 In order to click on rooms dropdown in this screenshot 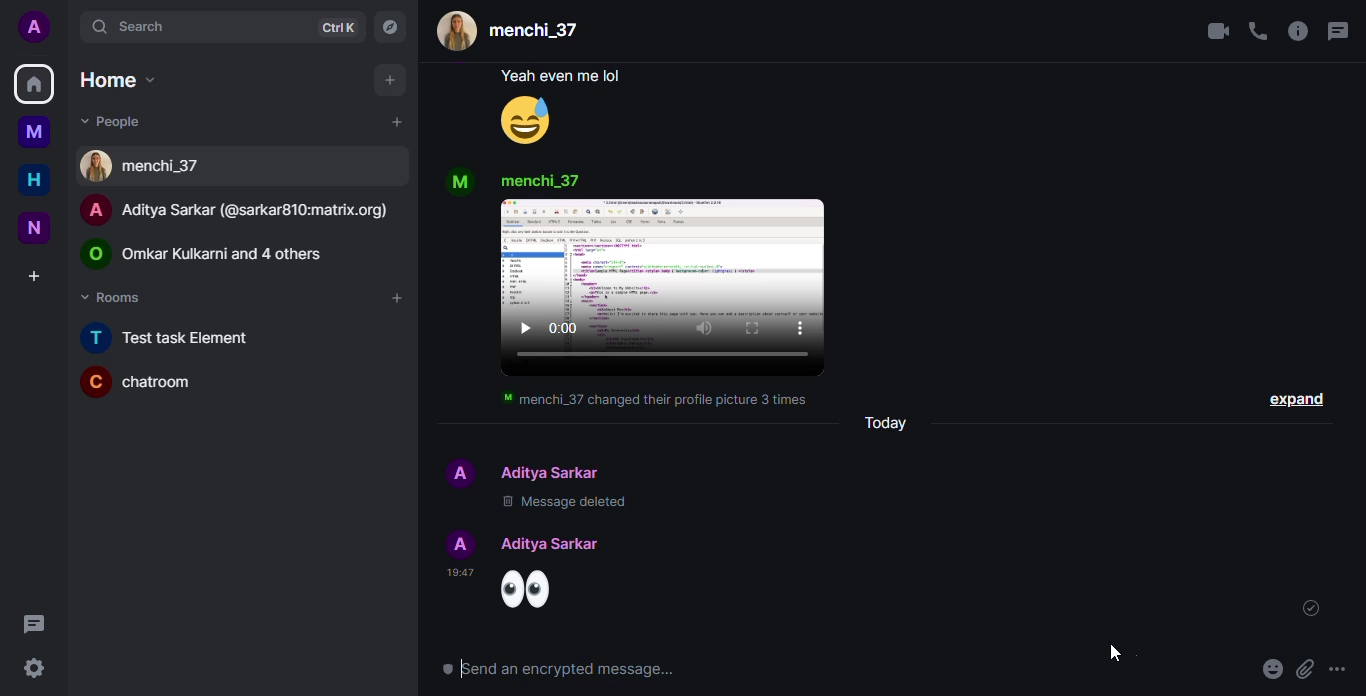, I will do `click(115, 297)`.